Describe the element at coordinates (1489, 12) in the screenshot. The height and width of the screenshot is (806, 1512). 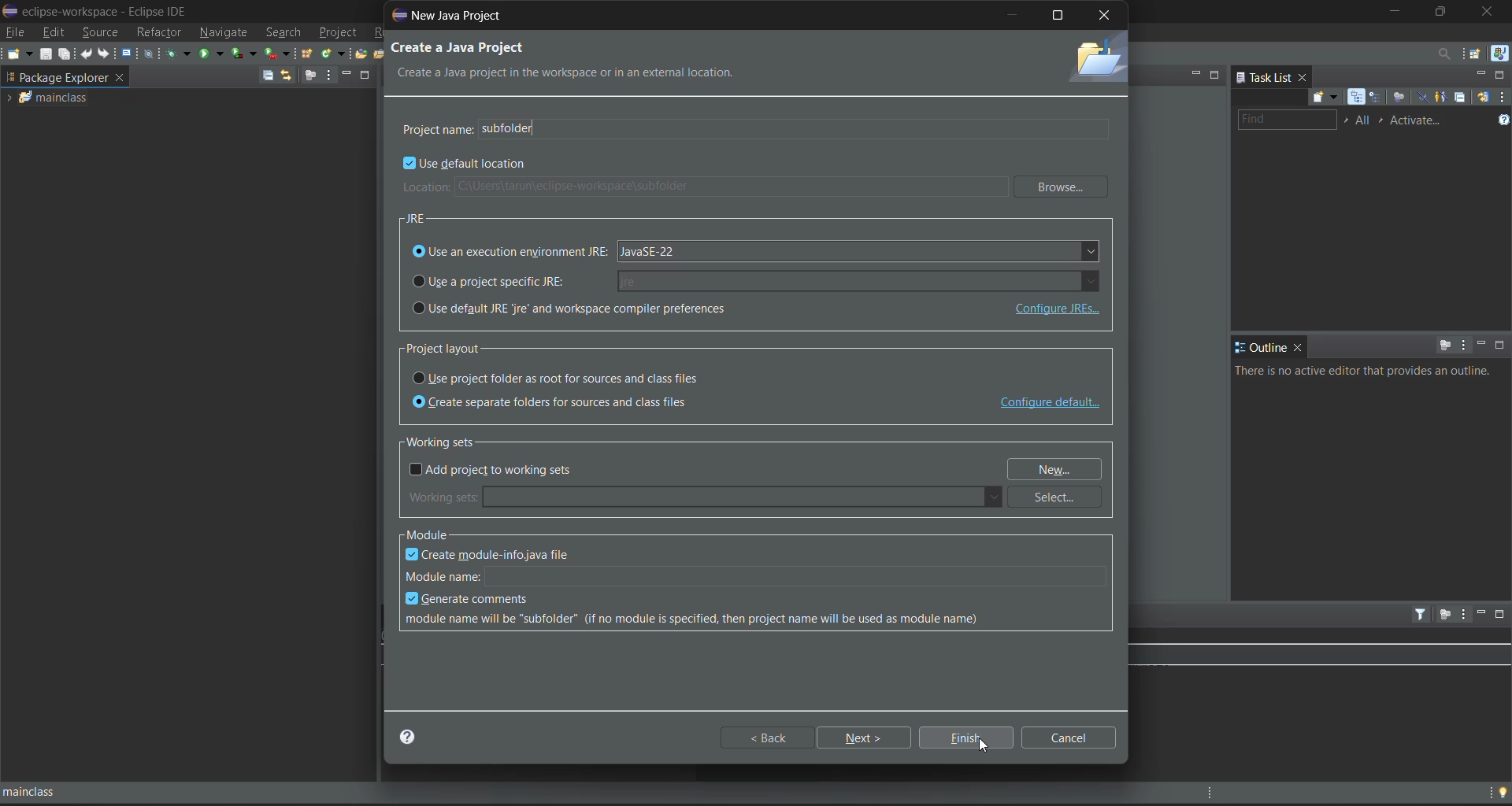
I see `close` at that location.